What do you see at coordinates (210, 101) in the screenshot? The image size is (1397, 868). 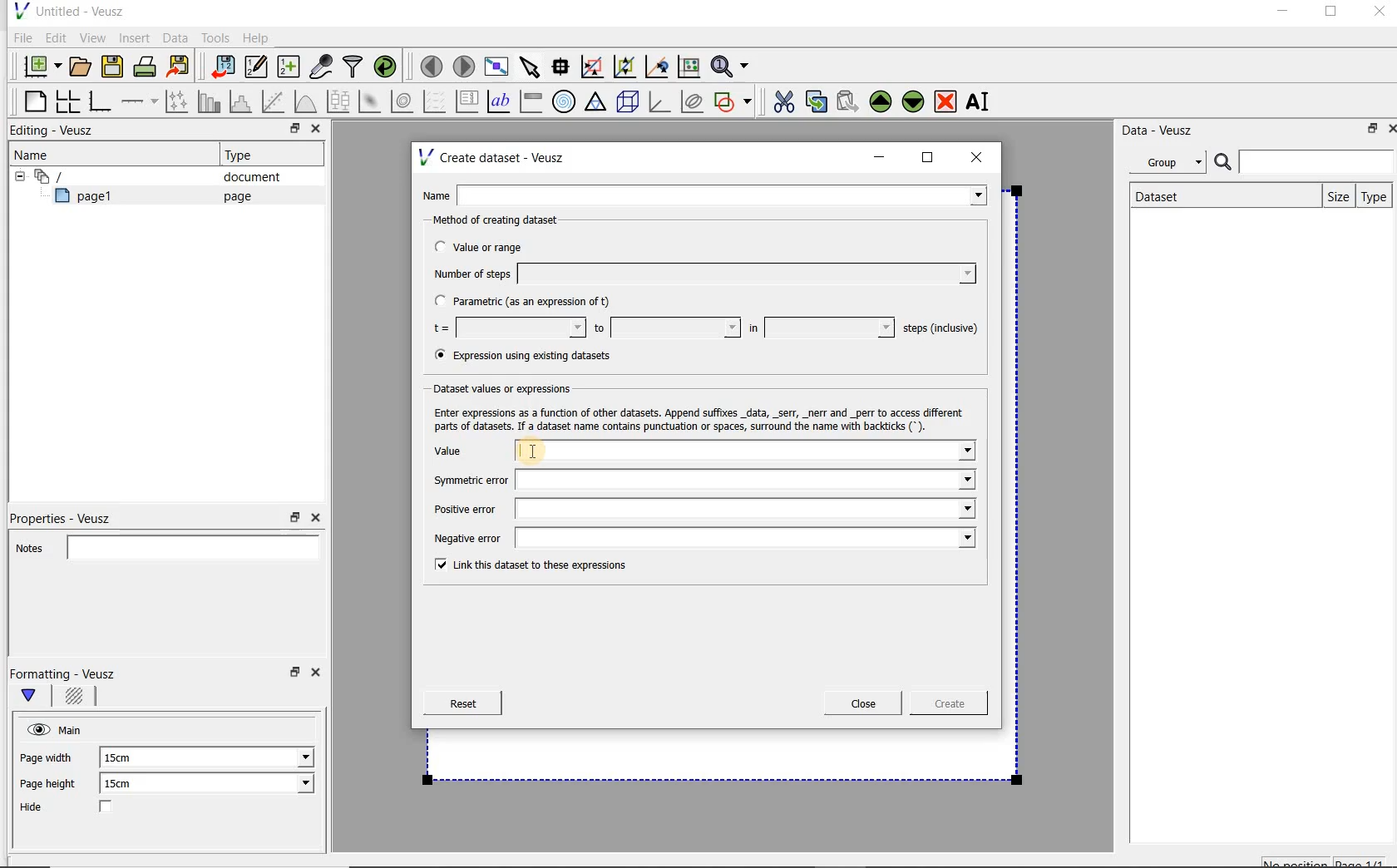 I see `plot bar charts` at bounding box center [210, 101].